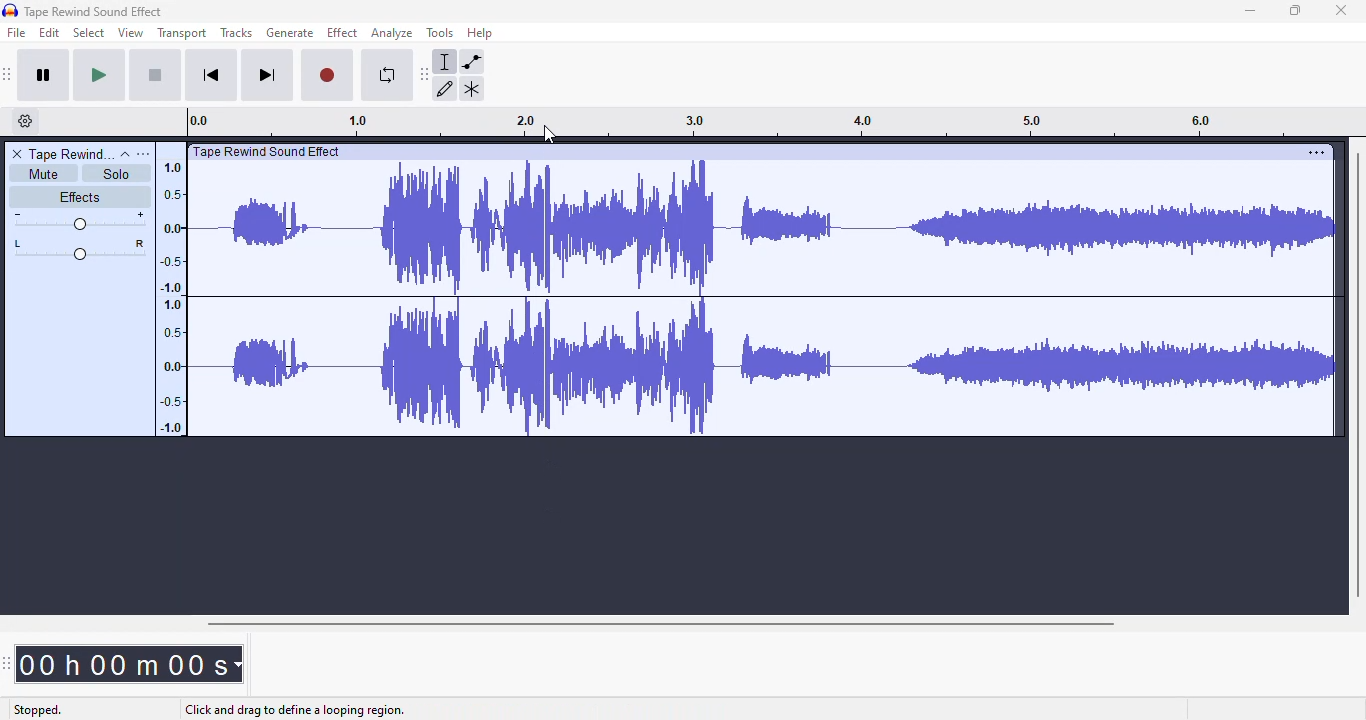 Image resolution: width=1366 pixels, height=720 pixels. I want to click on pause, so click(46, 75).